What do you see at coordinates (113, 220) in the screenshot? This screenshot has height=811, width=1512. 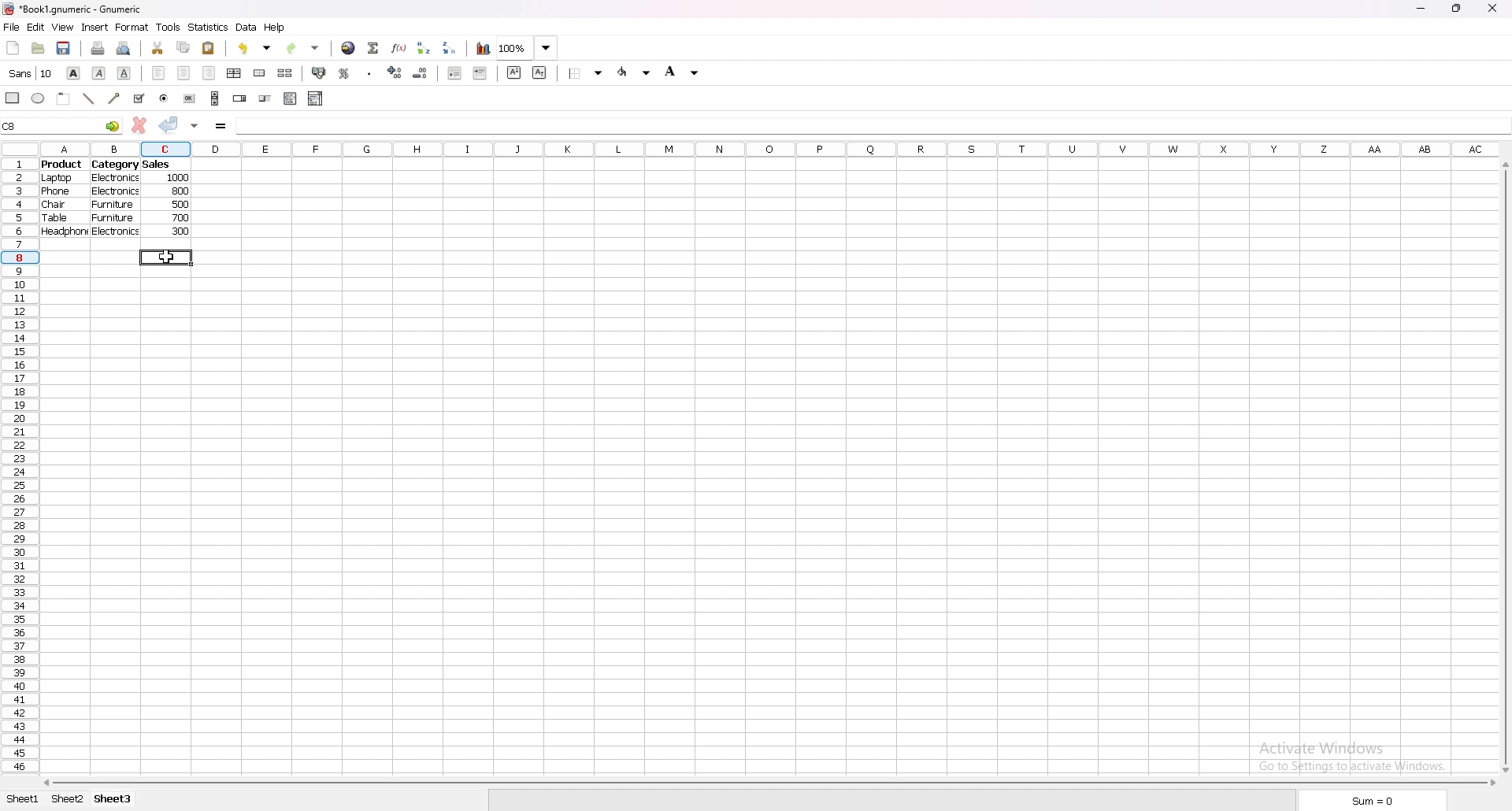 I see `furniture` at bounding box center [113, 220].